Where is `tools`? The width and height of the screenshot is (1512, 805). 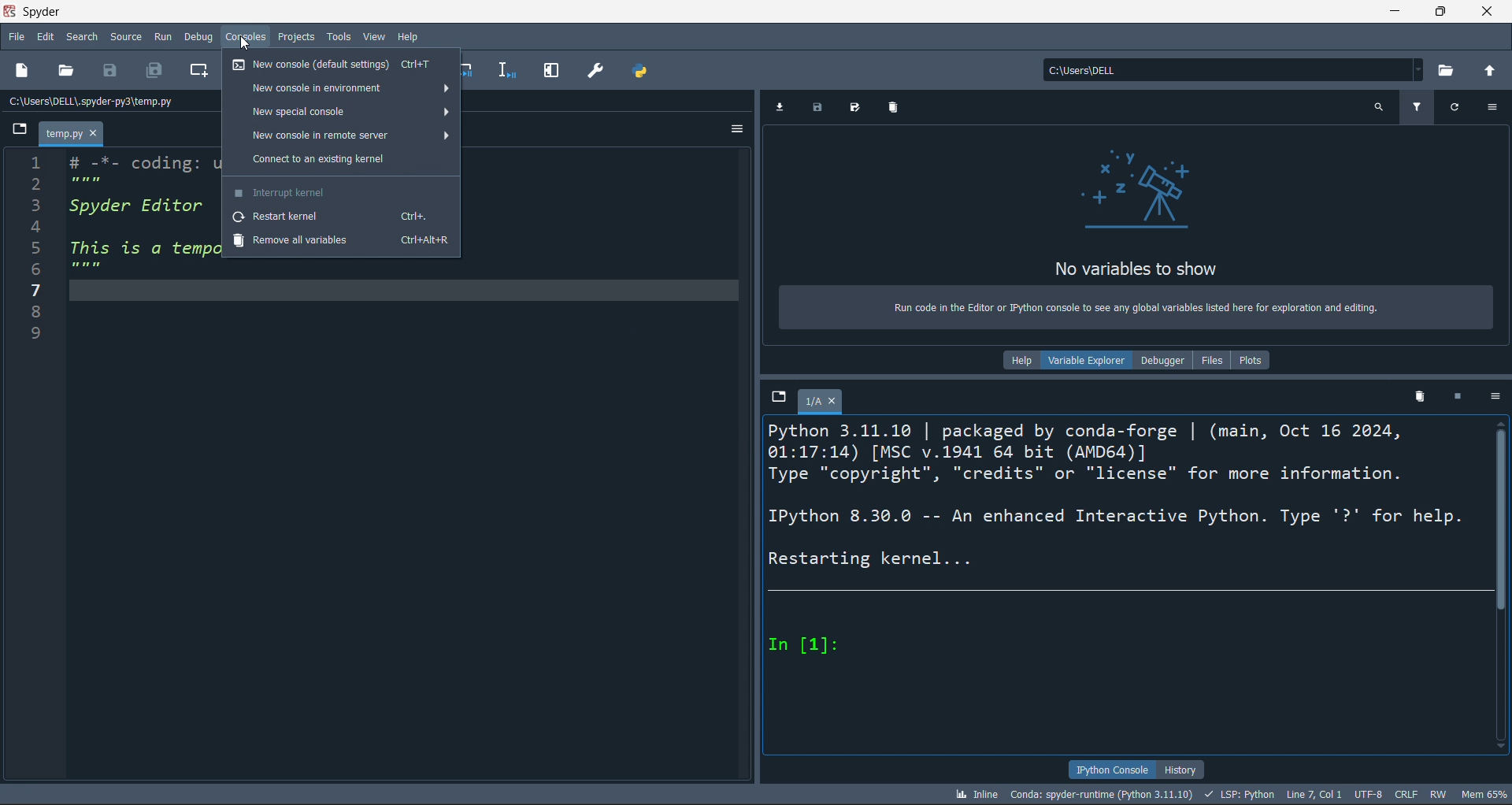
tools is located at coordinates (338, 36).